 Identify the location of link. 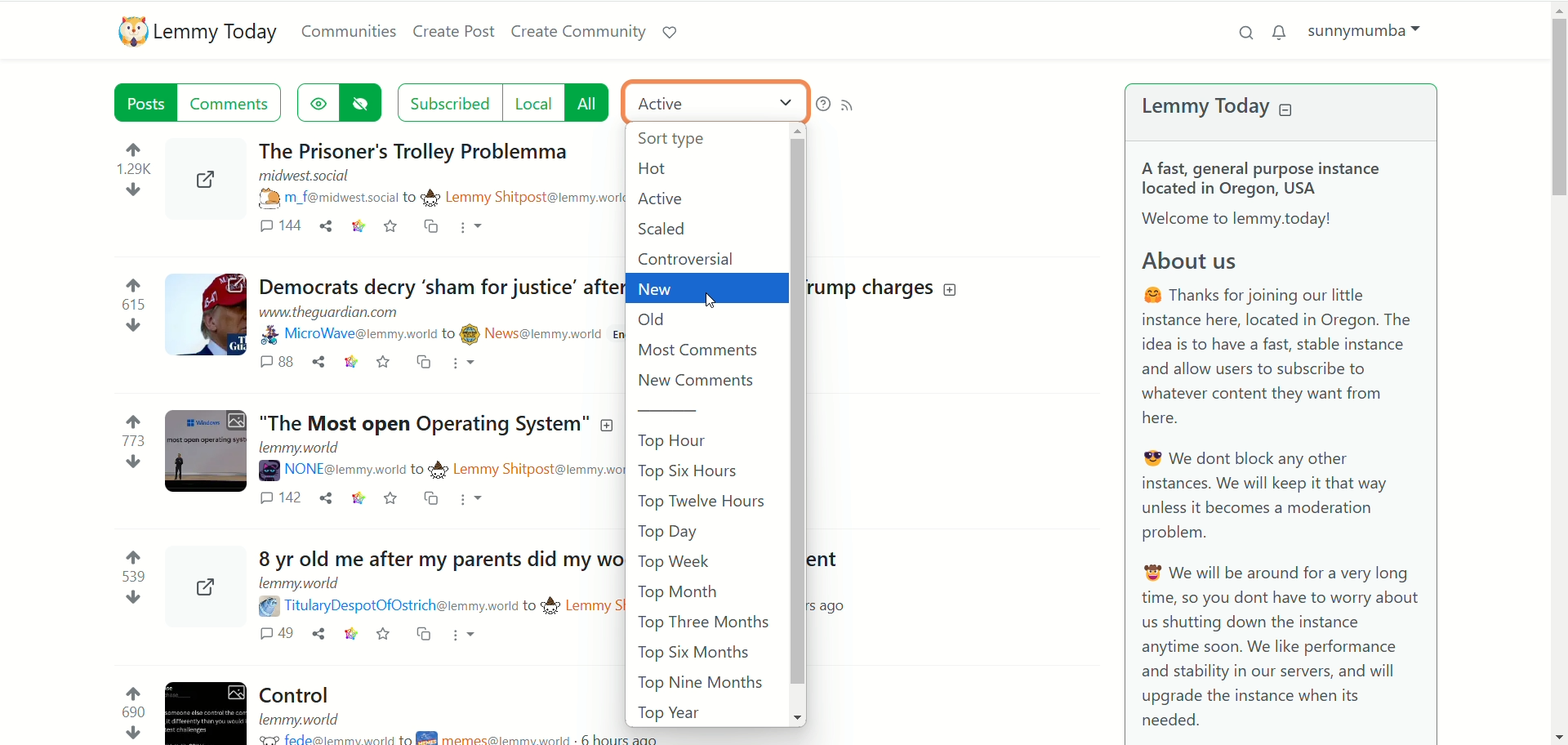
(345, 364).